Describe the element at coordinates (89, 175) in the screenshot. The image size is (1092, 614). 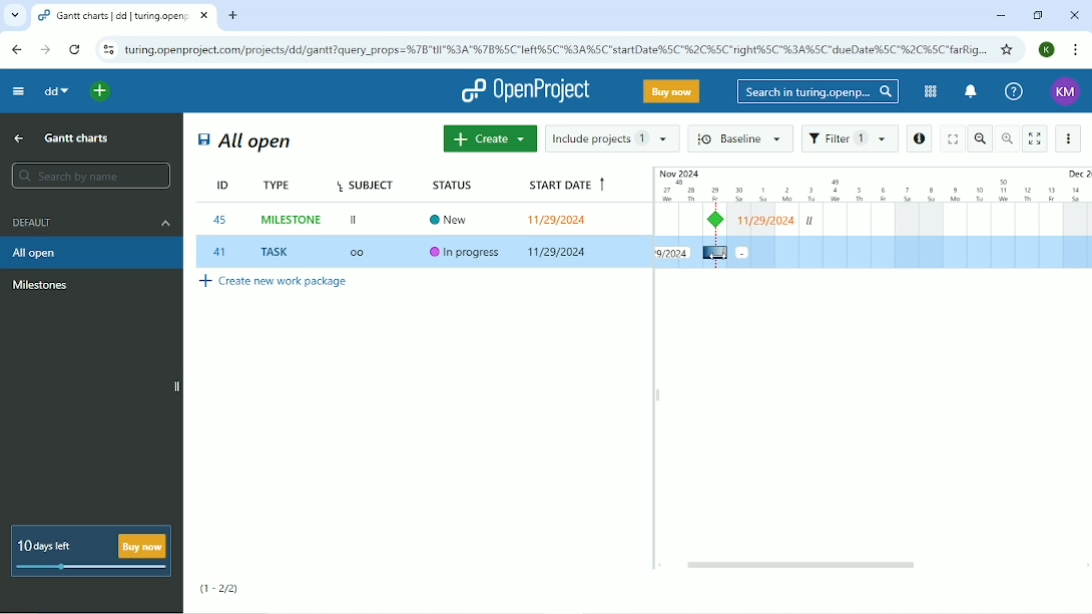
I see `Search by name` at that location.